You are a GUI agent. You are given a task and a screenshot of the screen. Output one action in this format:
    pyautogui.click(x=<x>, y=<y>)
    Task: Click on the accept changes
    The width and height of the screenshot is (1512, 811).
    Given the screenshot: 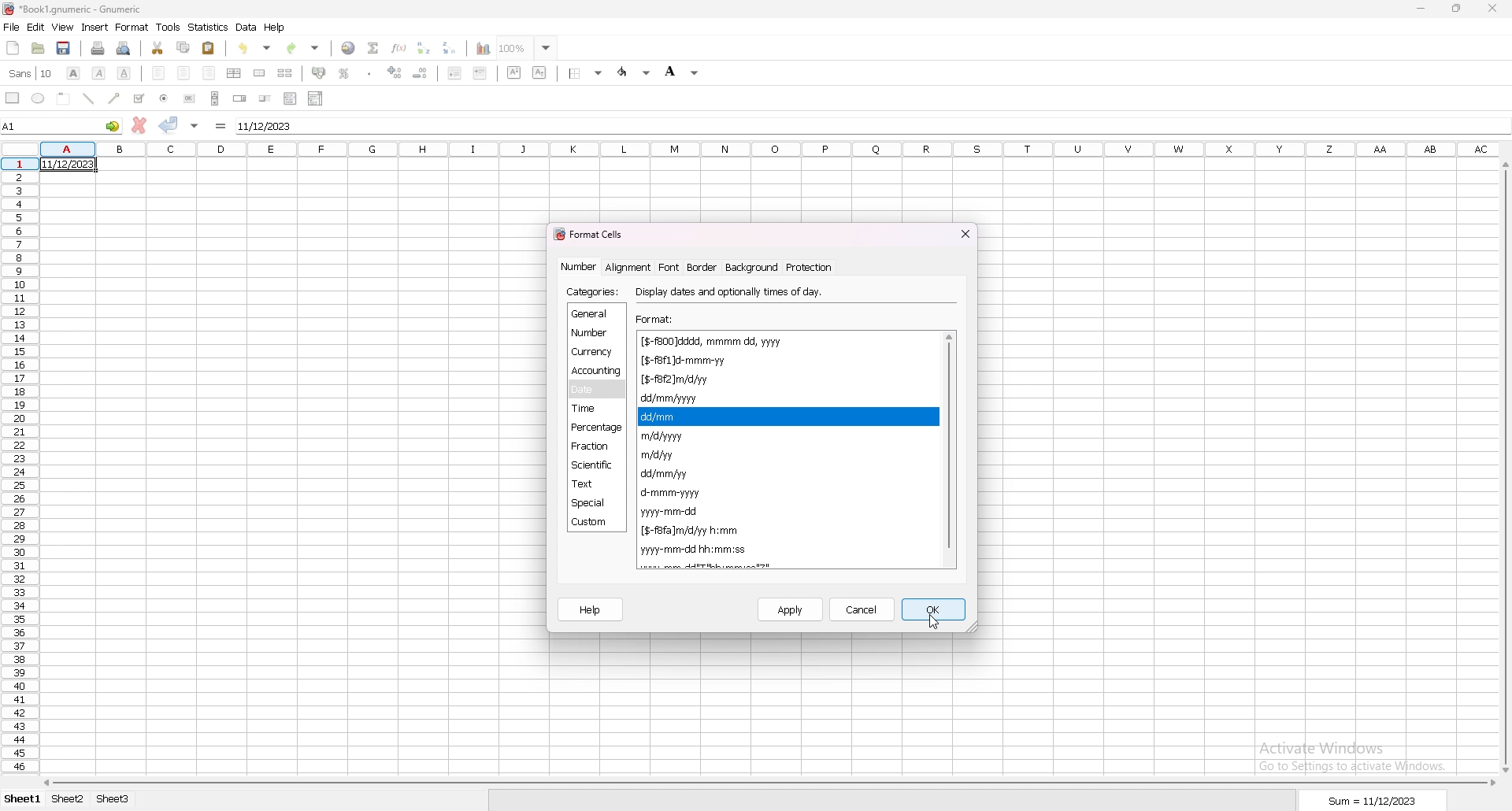 What is the action you would take?
    pyautogui.click(x=168, y=124)
    